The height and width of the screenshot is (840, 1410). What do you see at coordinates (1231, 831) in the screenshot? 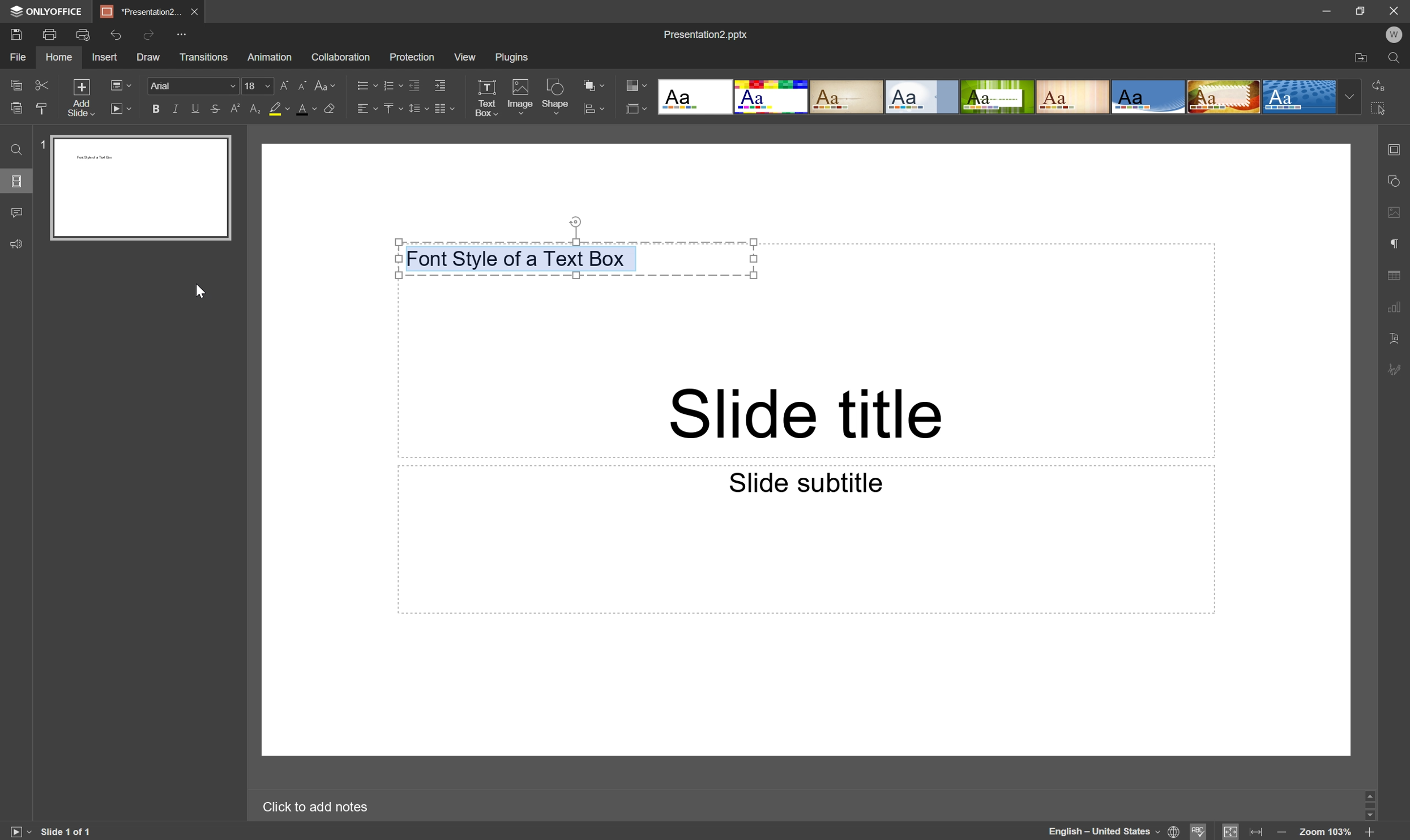
I see `Fit to slide` at bounding box center [1231, 831].